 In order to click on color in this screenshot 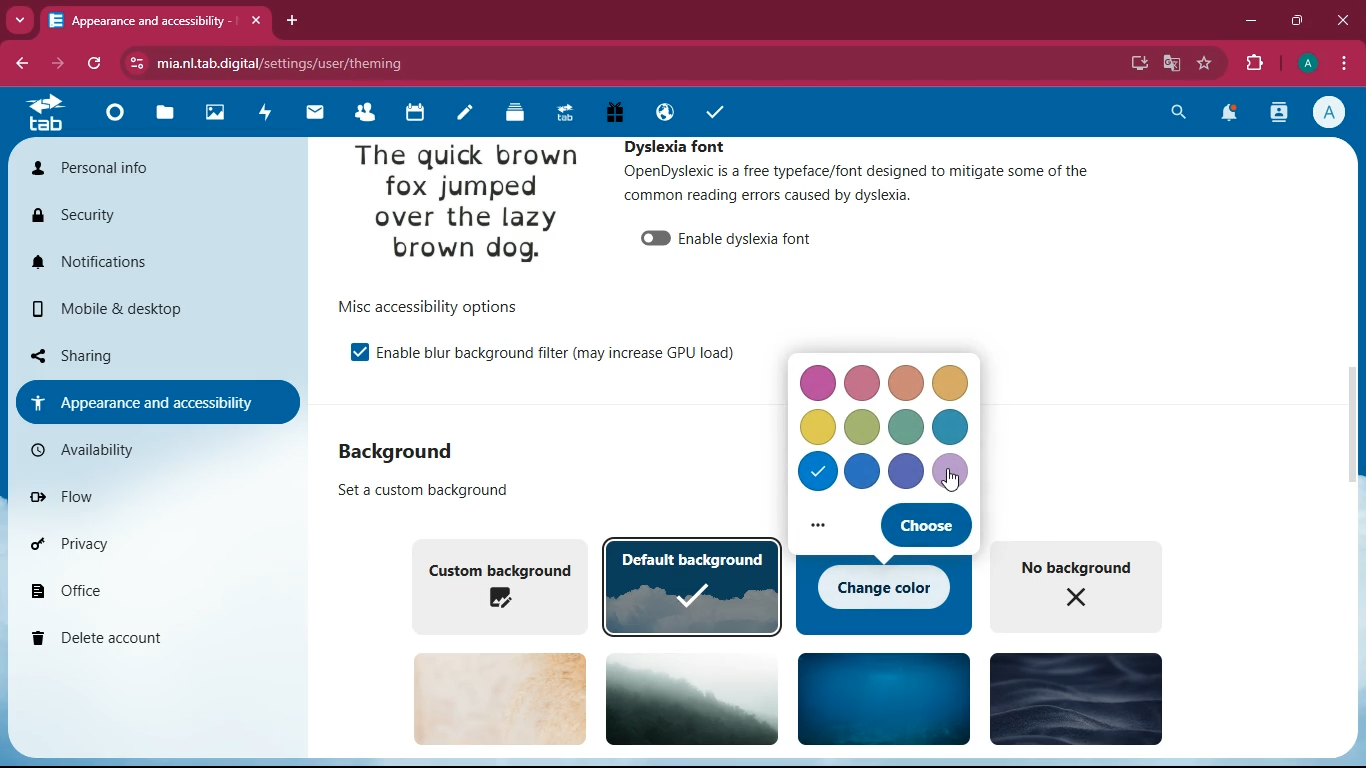, I will do `click(952, 428)`.